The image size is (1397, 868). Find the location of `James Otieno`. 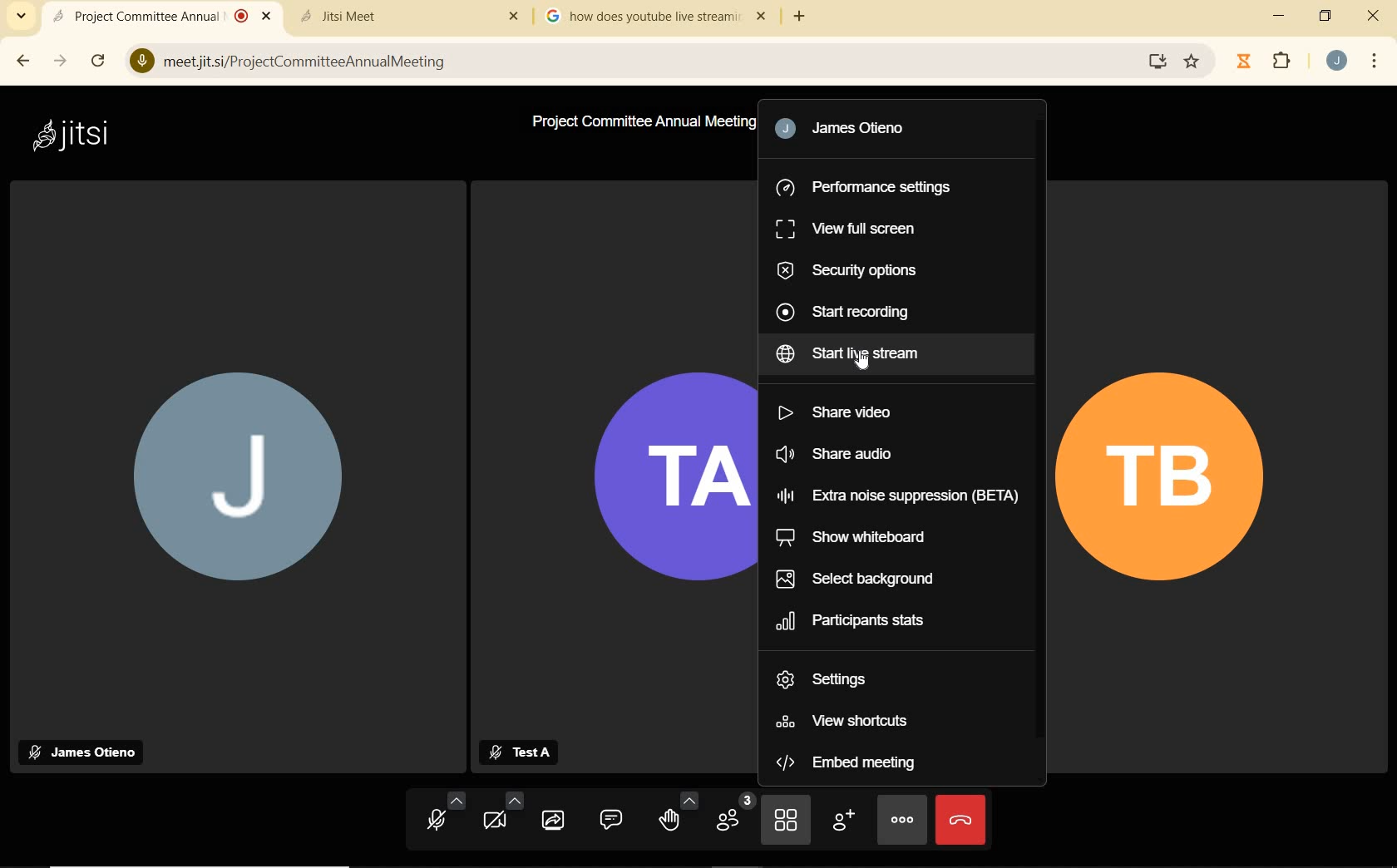

James Otieno is located at coordinates (86, 752).